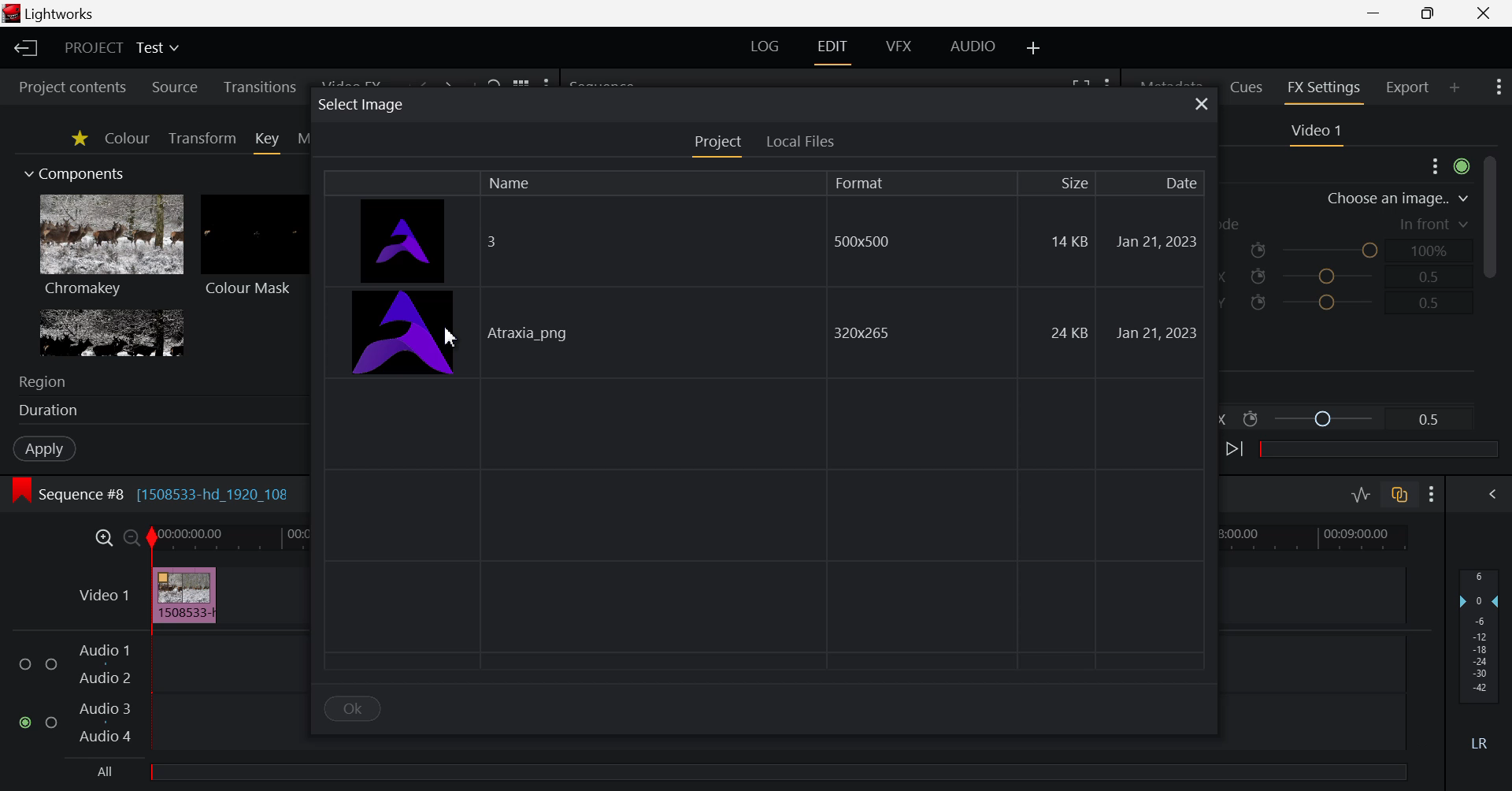  What do you see at coordinates (1070, 240) in the screenshot?
I see `14 KB` at bounding box center [1070, 240].